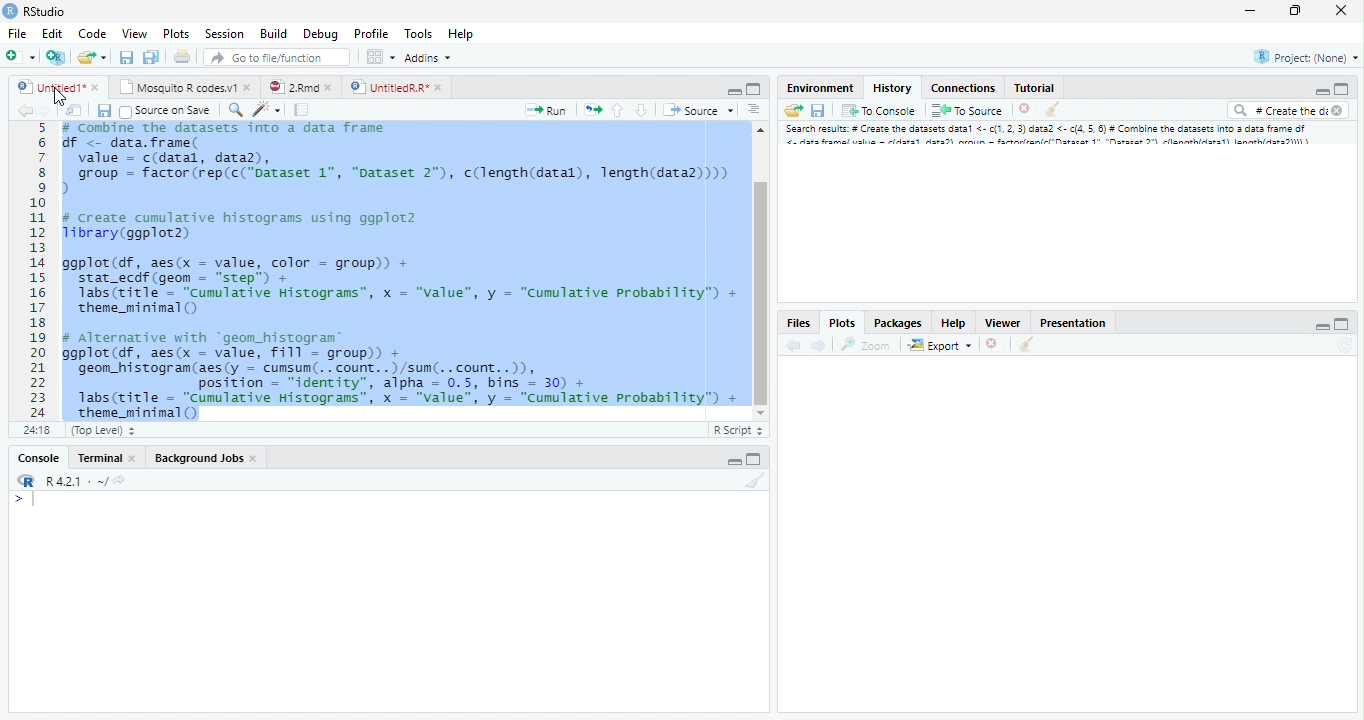  Describe the element at coordinates (133, 35) in the screenshot. I see `View` at that location.